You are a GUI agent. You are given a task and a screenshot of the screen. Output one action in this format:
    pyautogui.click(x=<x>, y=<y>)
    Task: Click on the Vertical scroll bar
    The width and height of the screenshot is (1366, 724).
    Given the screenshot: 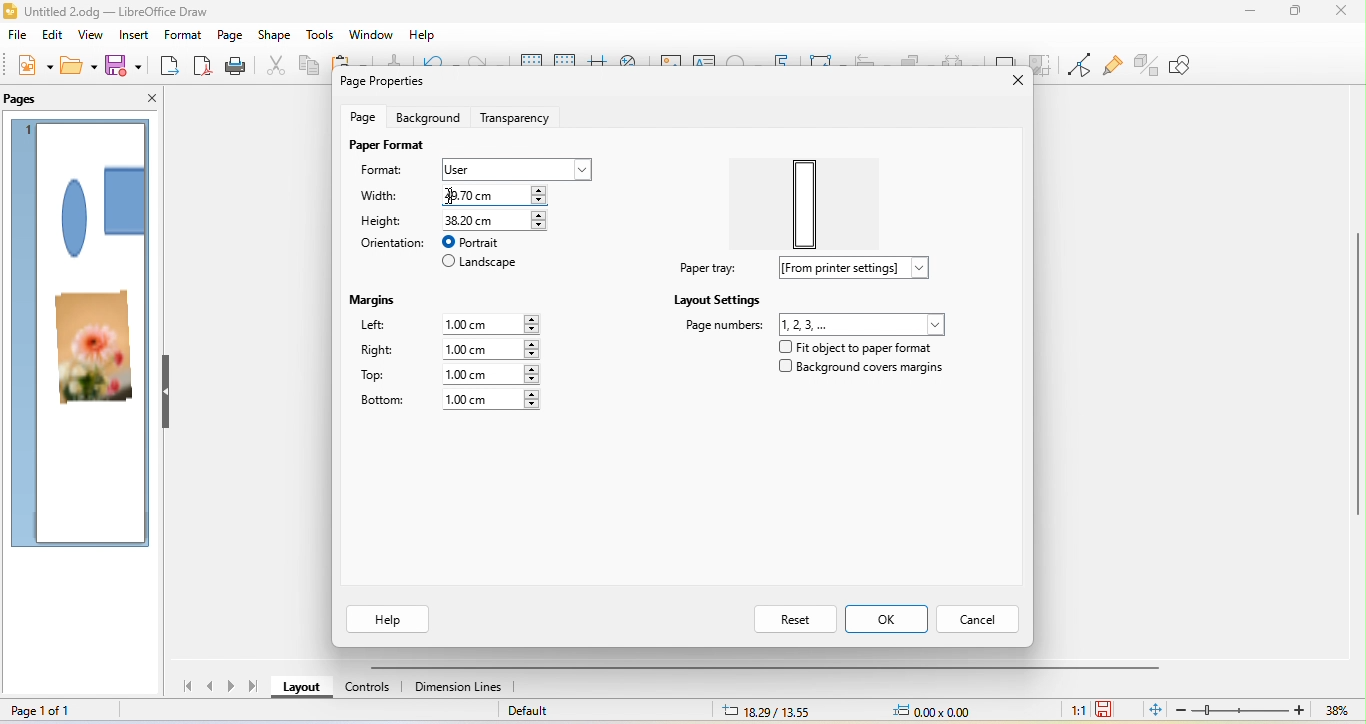 What is the action you would take?
    pyautogui.click(x=1356, y=384)
    